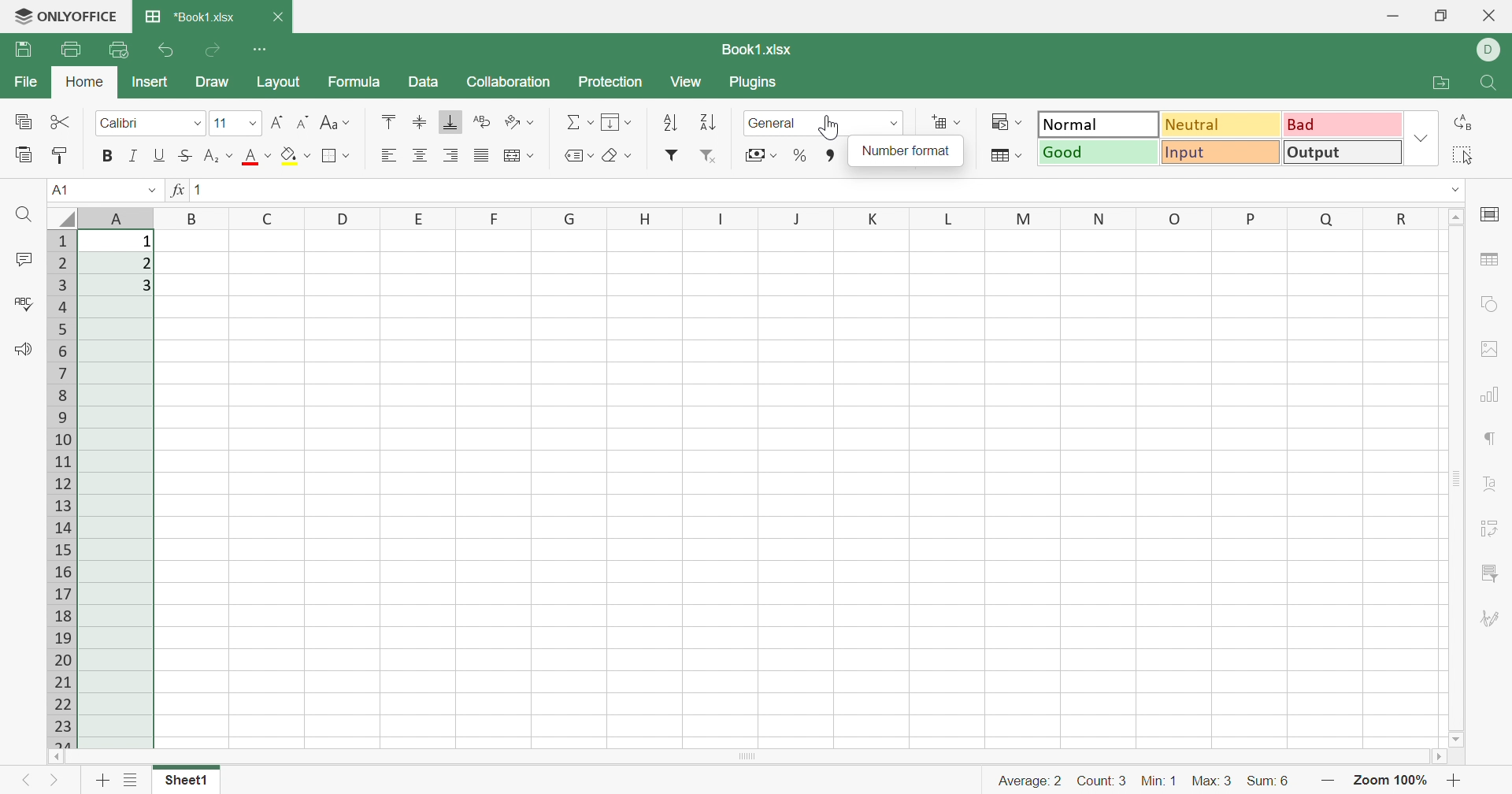  What do you see at coordinates (1489, 302) in the screenshot?
I see `Shape settings` at bounding box center [1489, 302].